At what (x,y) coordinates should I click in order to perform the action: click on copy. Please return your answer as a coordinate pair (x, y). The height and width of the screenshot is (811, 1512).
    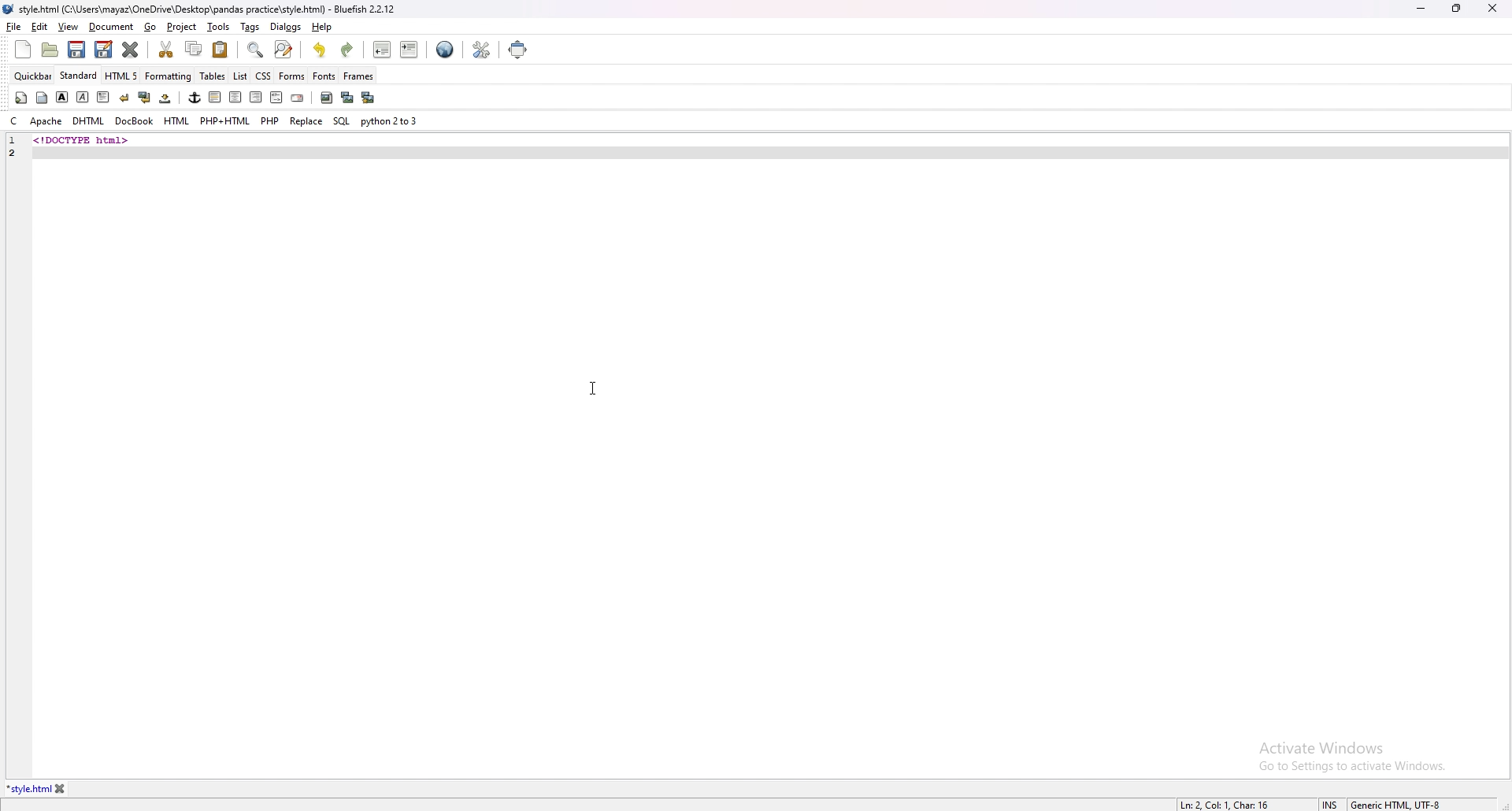
    Looking at the image, I should click on (195, 49).